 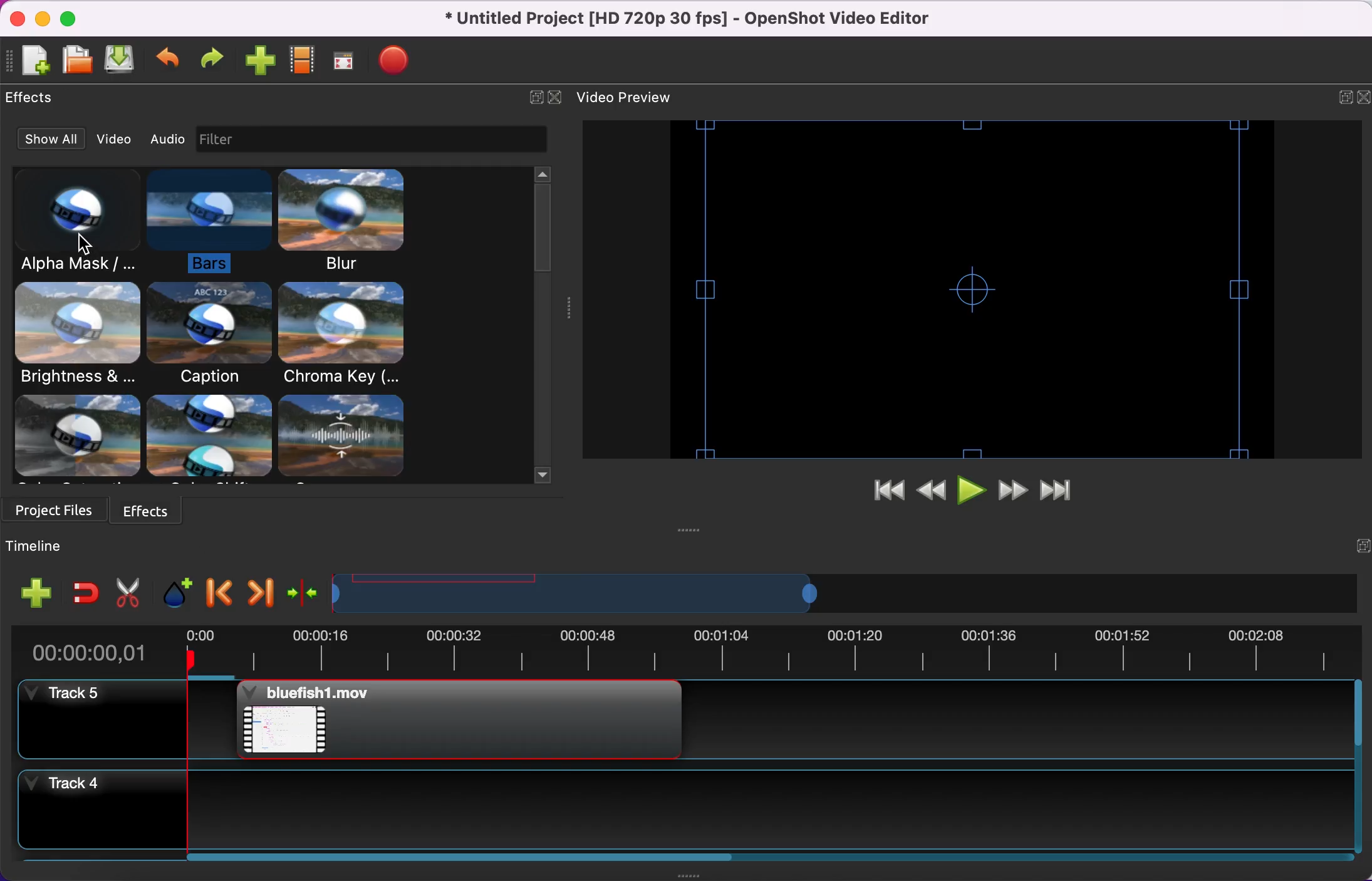 What do you see at coordinates (1014, 489) in the screenshot?
I see `fast forward` at bounding box center [1014, 489].